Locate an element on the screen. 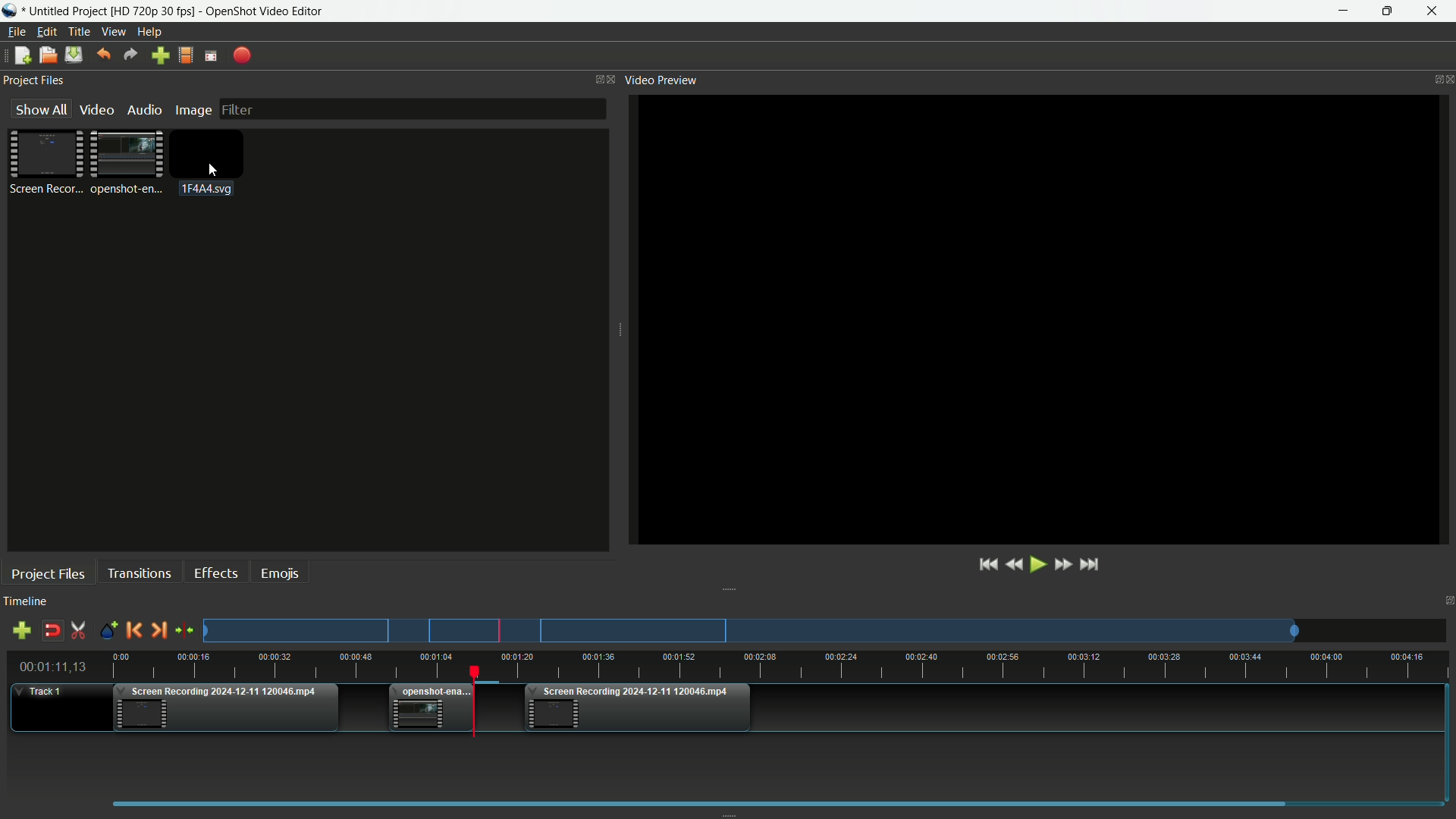 Image resolution: width=1456 pixels, height=819 pixels. add track is located at coordinates (19, 631).